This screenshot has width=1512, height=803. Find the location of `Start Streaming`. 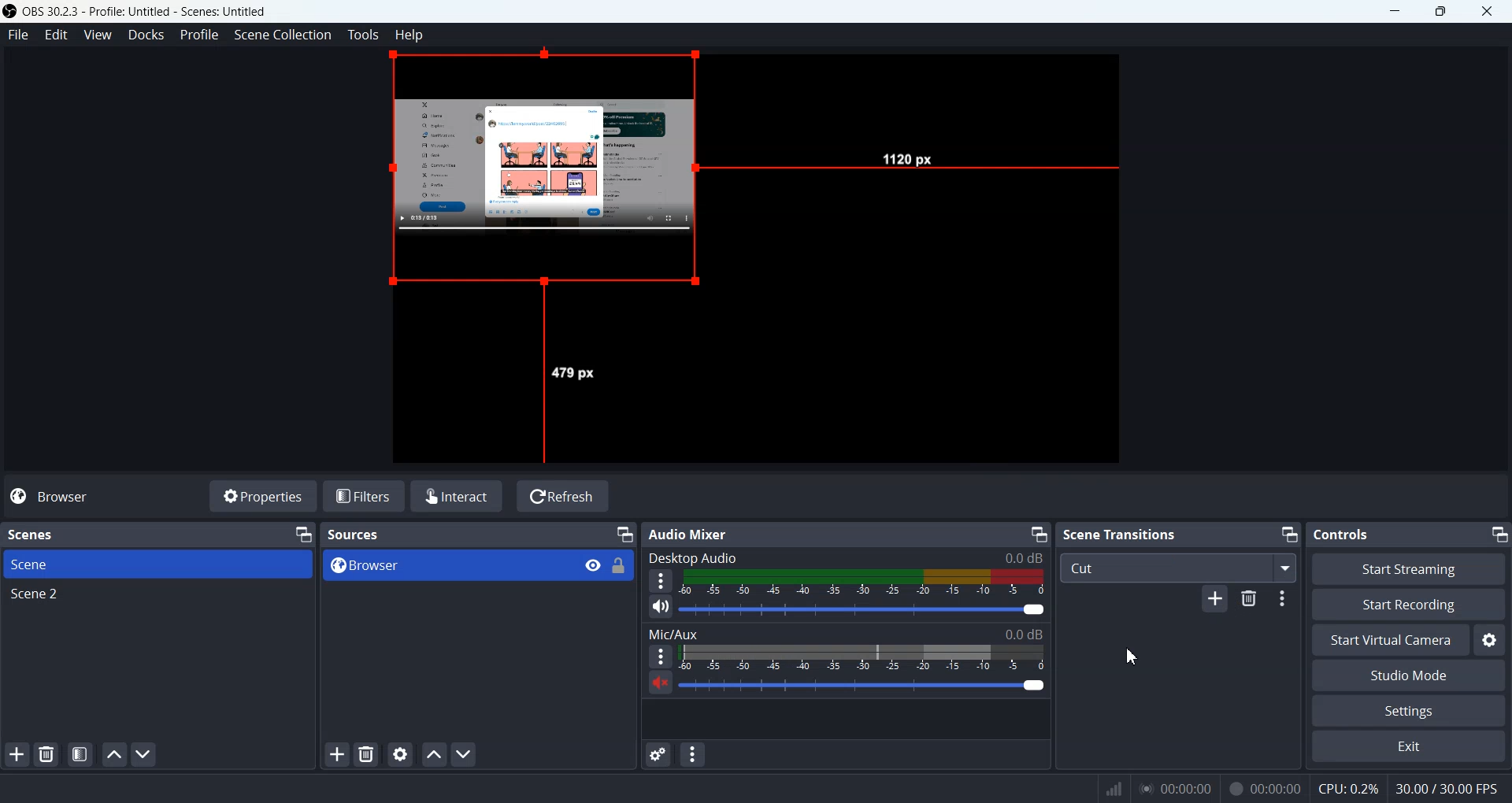

Start Streaming is located at coordinates (1407, 568).